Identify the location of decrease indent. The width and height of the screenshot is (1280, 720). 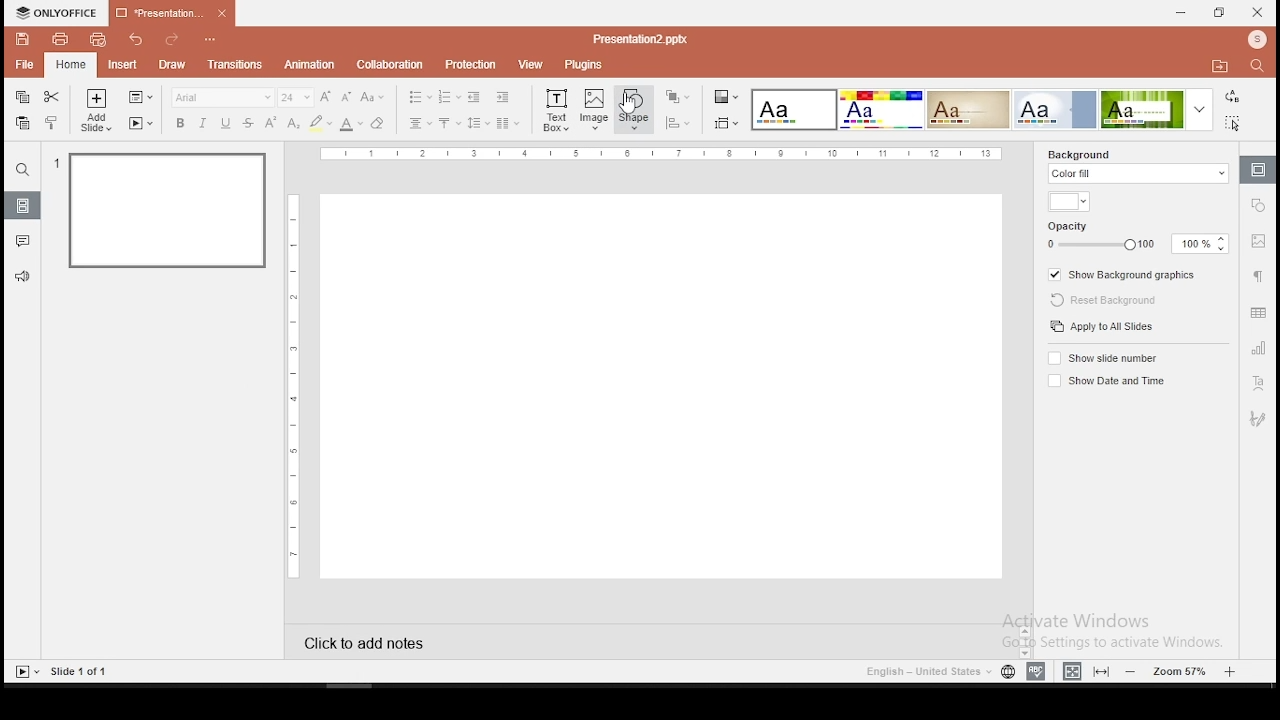
(476, 96).